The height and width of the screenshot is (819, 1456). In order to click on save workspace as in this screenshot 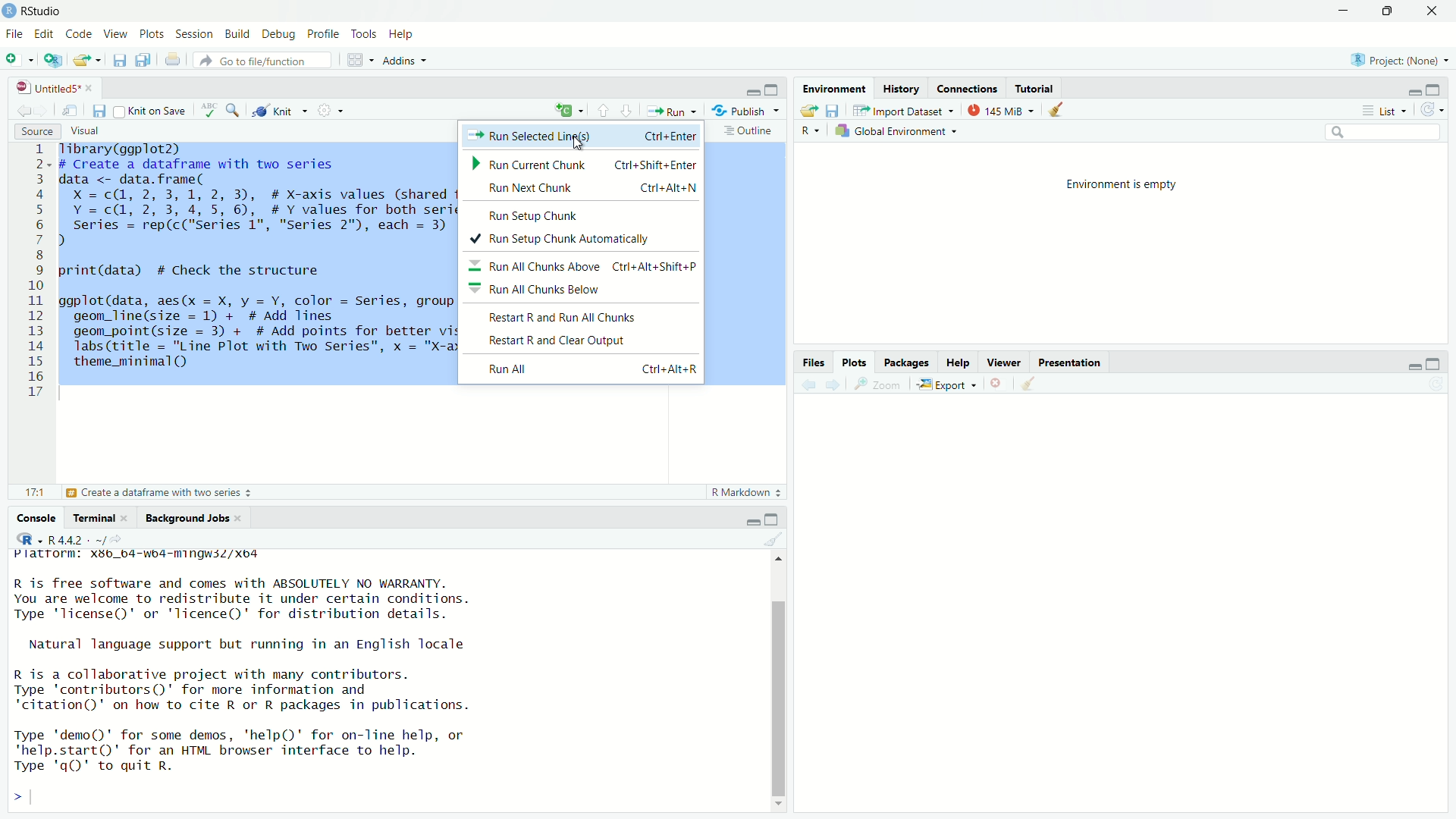, I will do `click(833, 111)`.